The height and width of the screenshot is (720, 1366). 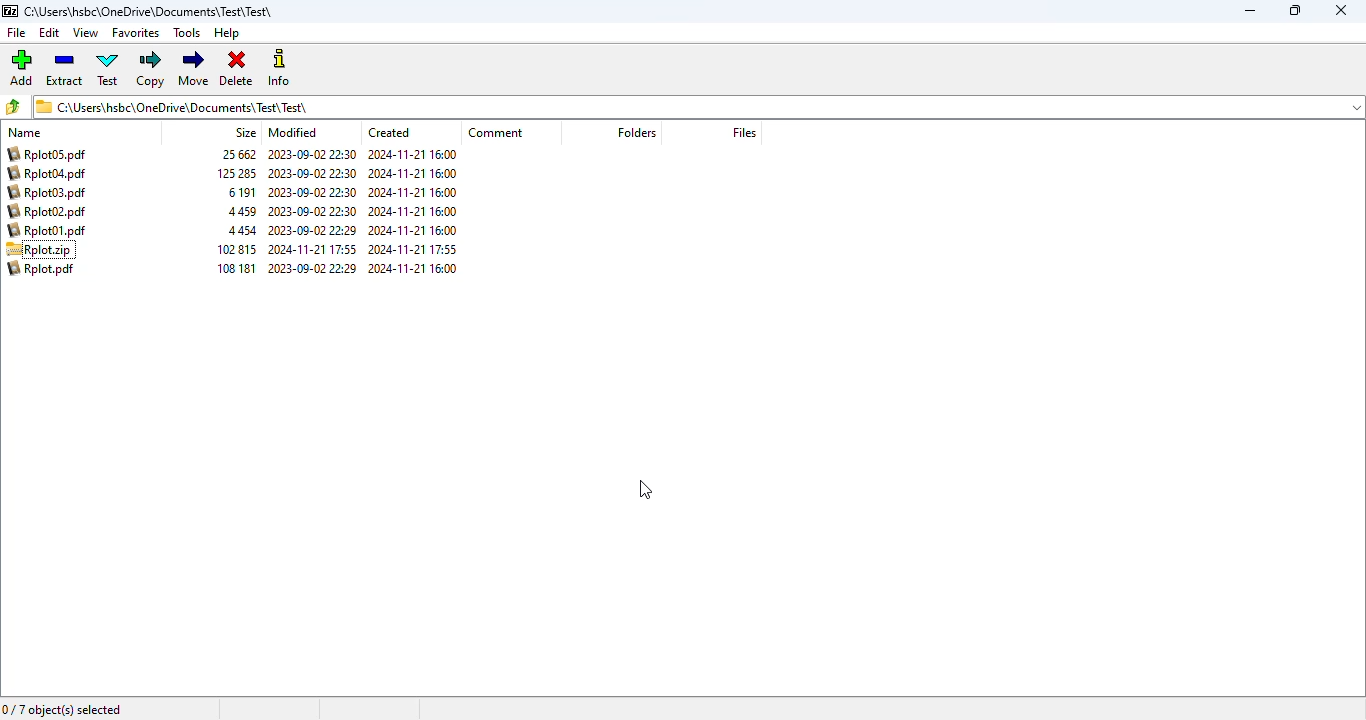 What do you see at coordinates (50, 33) in the screenshot?
I see `edit` at bounding box center [50, 33].